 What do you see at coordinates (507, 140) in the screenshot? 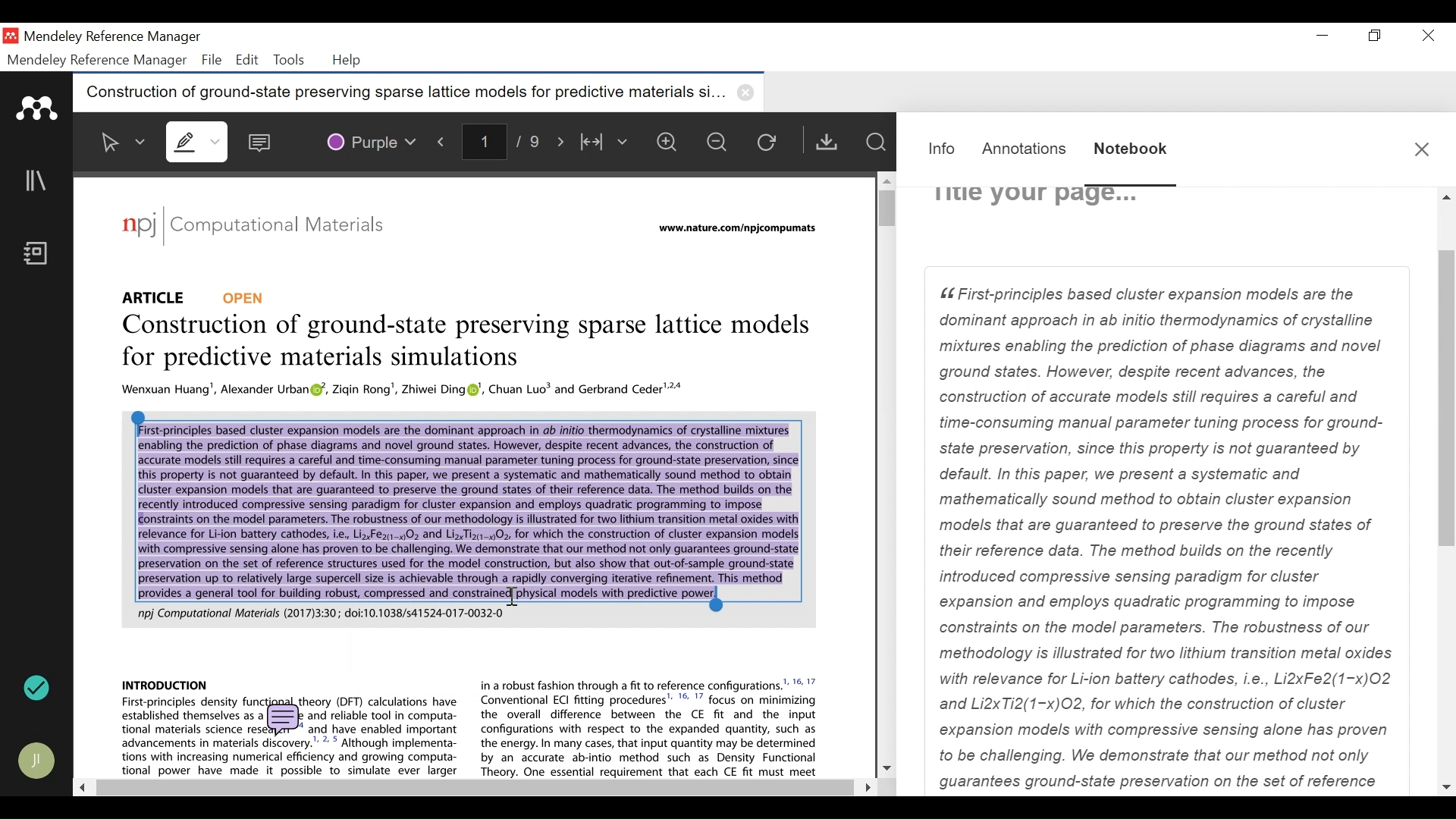
I see `page number/total number of pages` at bounding box center [507, 140].